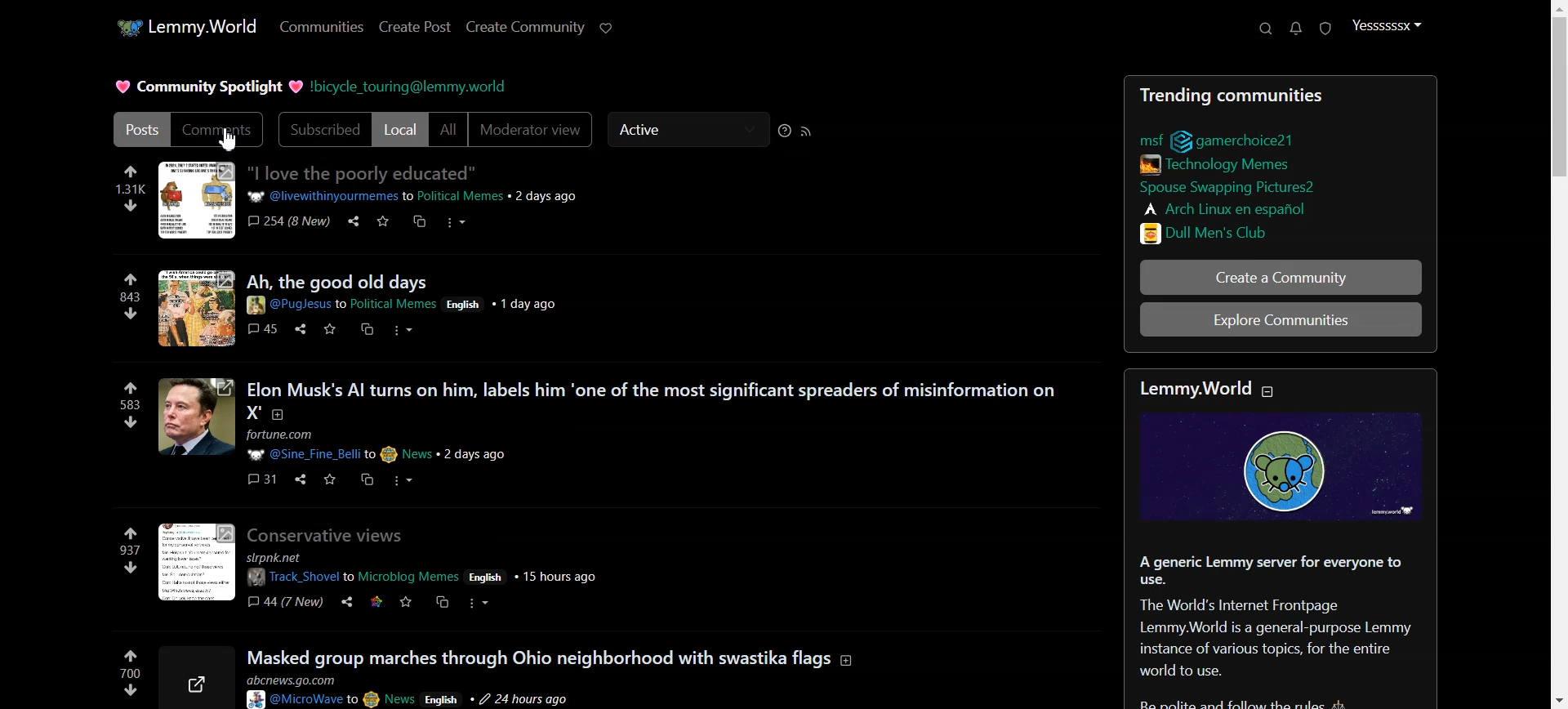 This screenshot has height=709, width=1568. Describe the element at coordinates (130, 569) in the screenshot. I see `downvote` at that location.